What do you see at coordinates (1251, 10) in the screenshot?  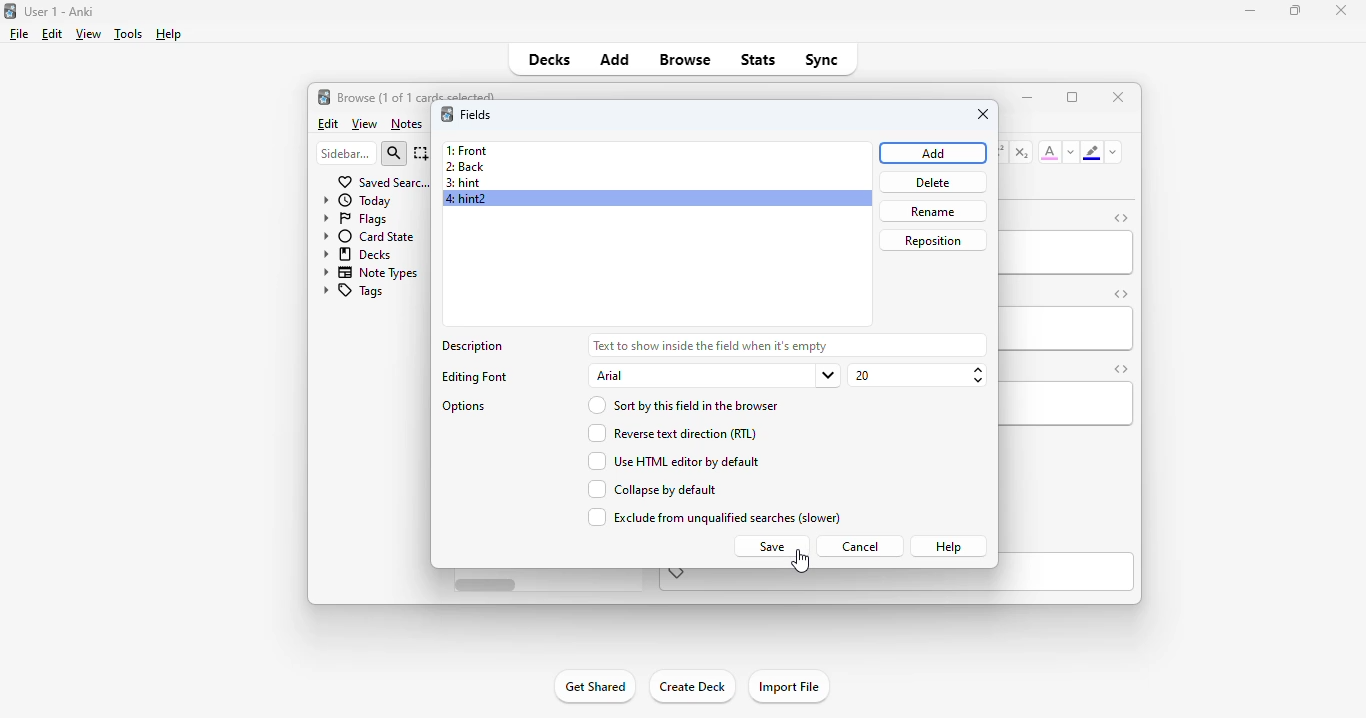 I see `minimize` at bounding box center [1251, 10].